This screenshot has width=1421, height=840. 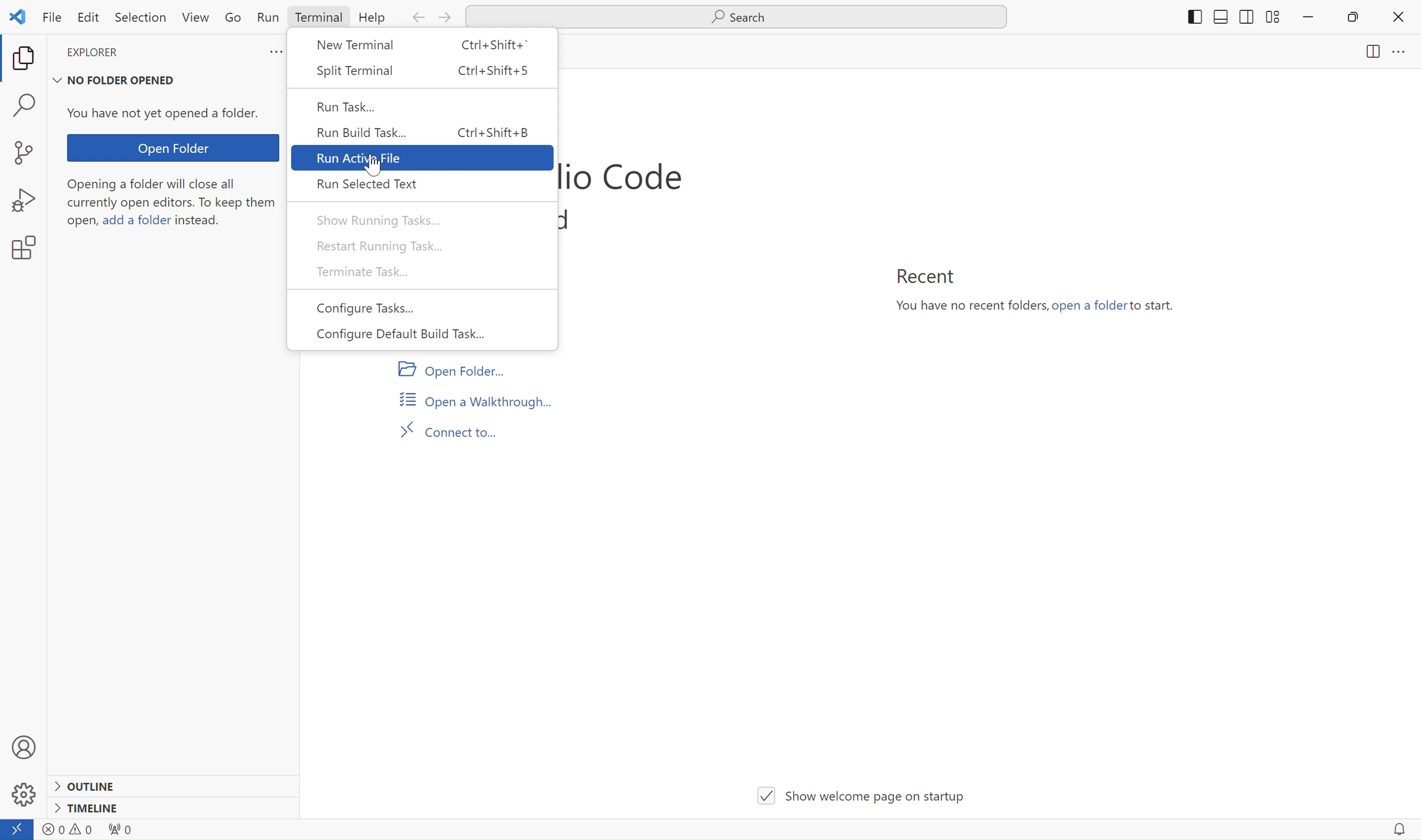 What do you see at coordinates (266, 18) in the screenshot?
I see `Run` at bounding box center [266, 18].